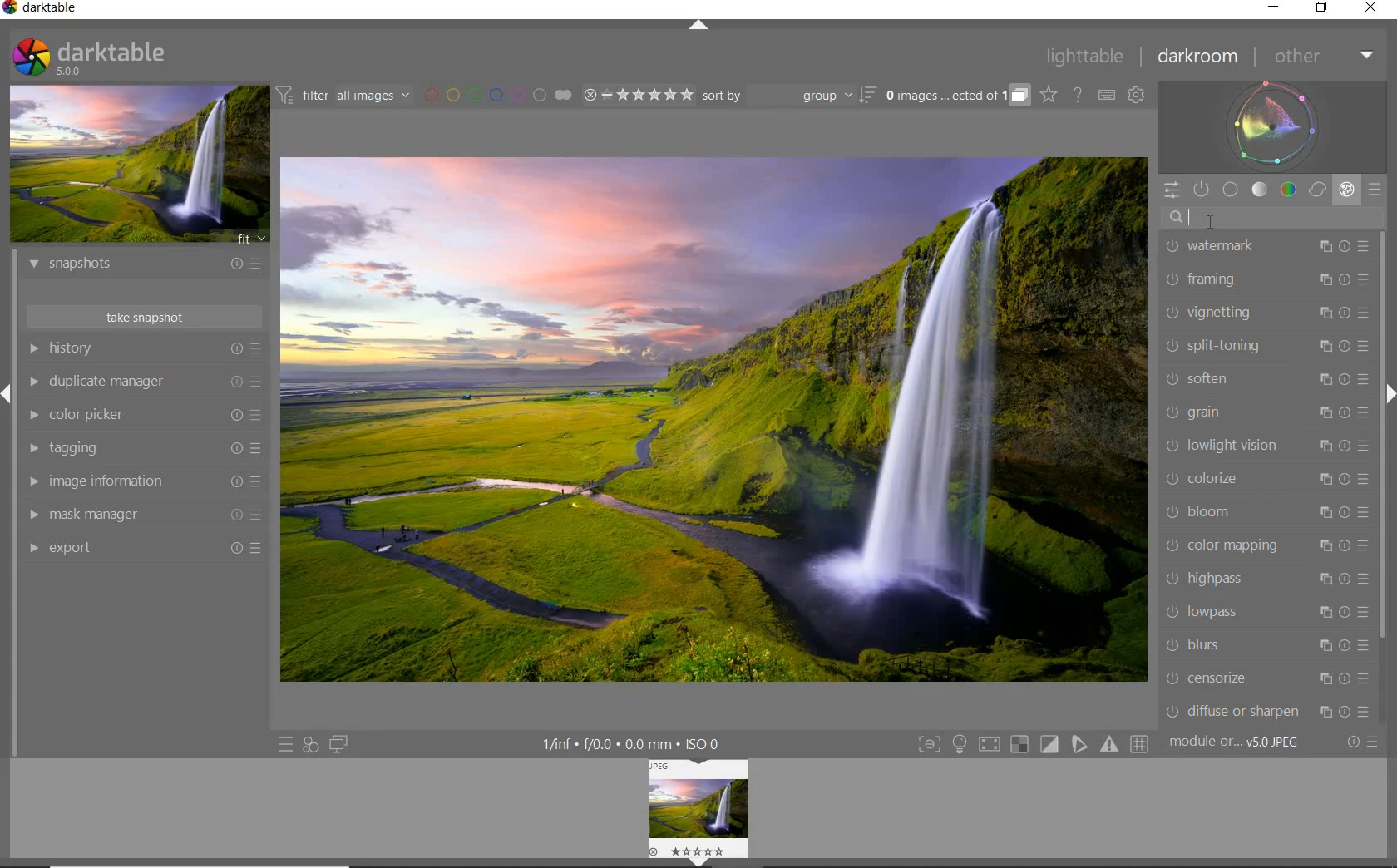 The width and height of the screenshot is (1397, 868). I want to click on Expand/Collapse, so click(1389, 396).